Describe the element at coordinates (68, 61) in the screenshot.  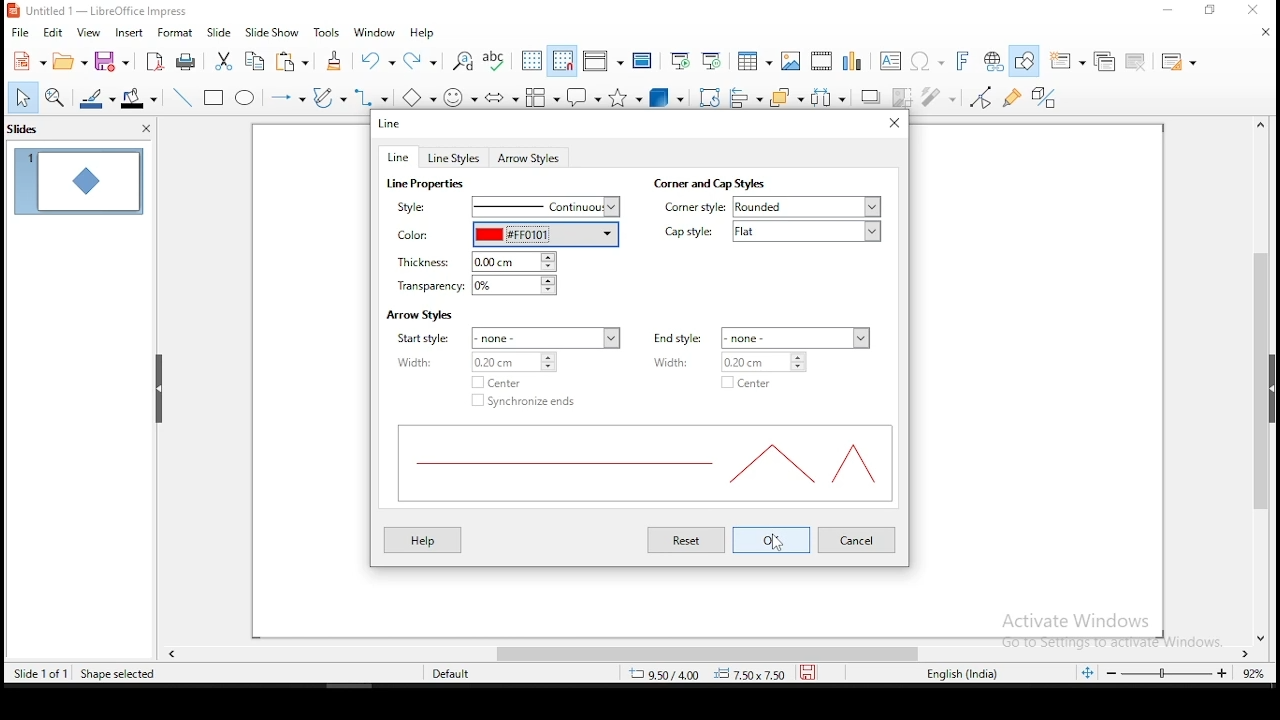
I see `open` at that location.